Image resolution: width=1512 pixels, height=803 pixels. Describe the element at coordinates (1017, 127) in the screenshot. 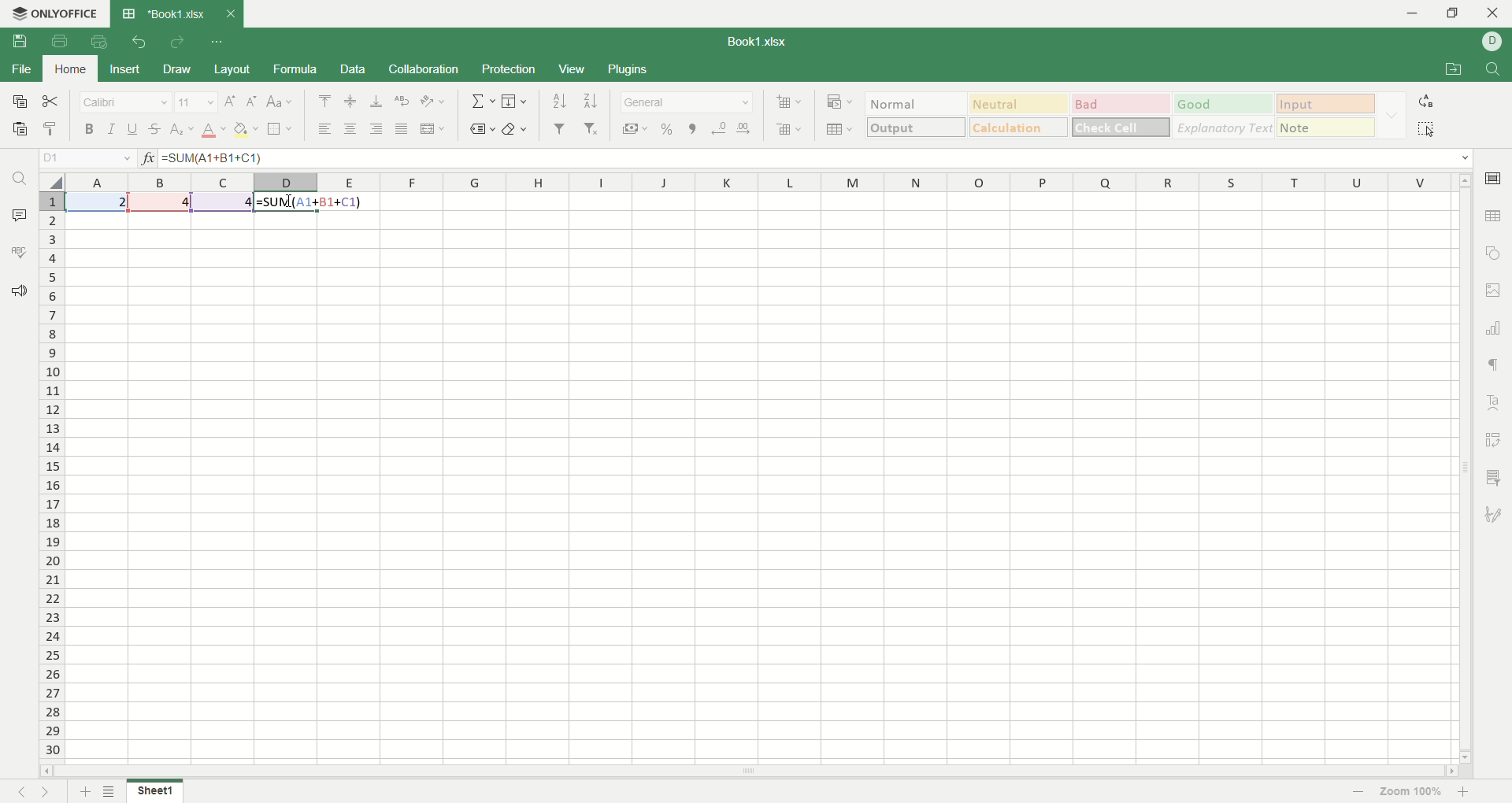

I see `calculation` at that location.